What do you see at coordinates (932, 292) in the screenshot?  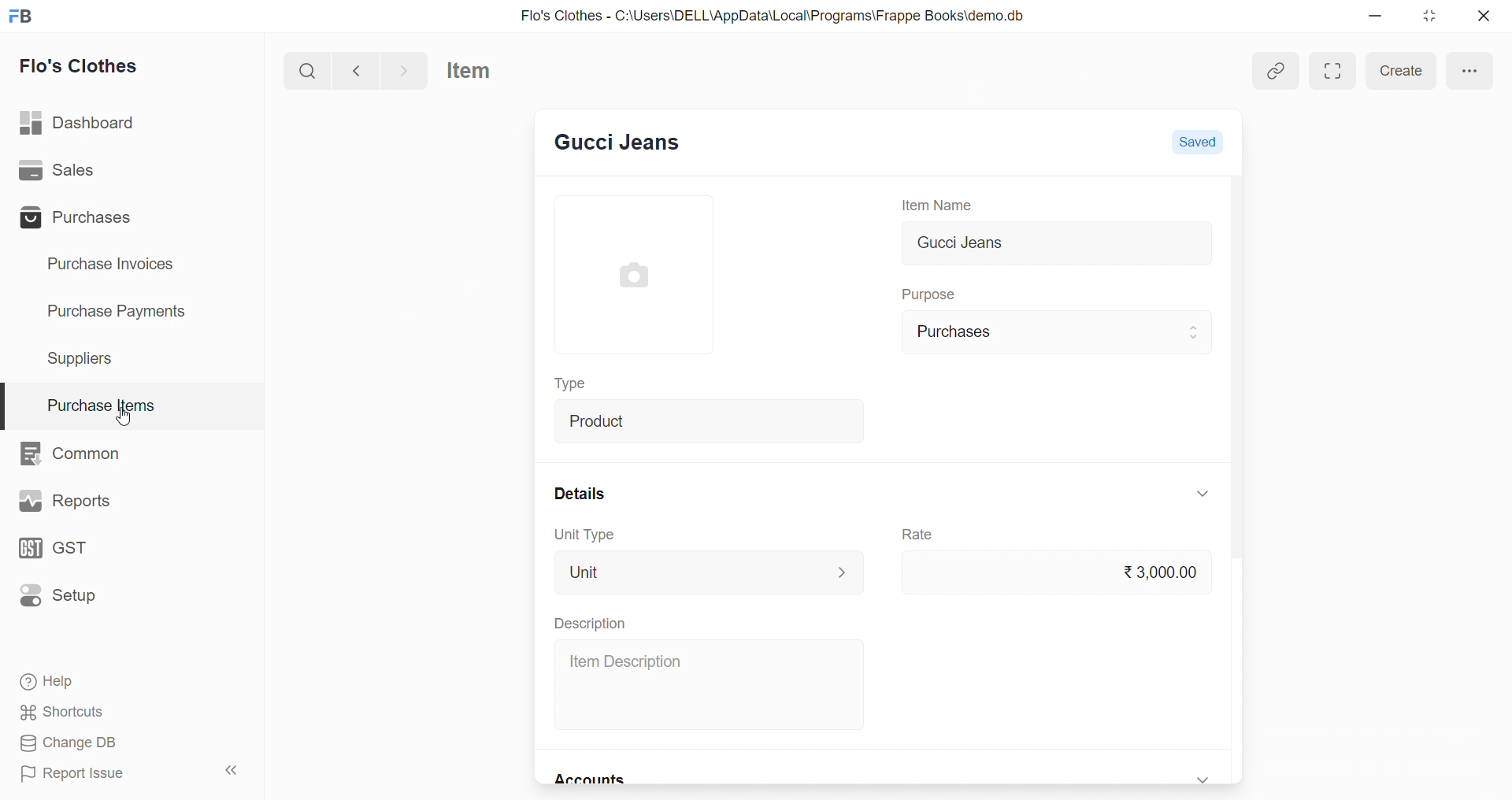 I see `Purpose` at bounding box center [932, 292].